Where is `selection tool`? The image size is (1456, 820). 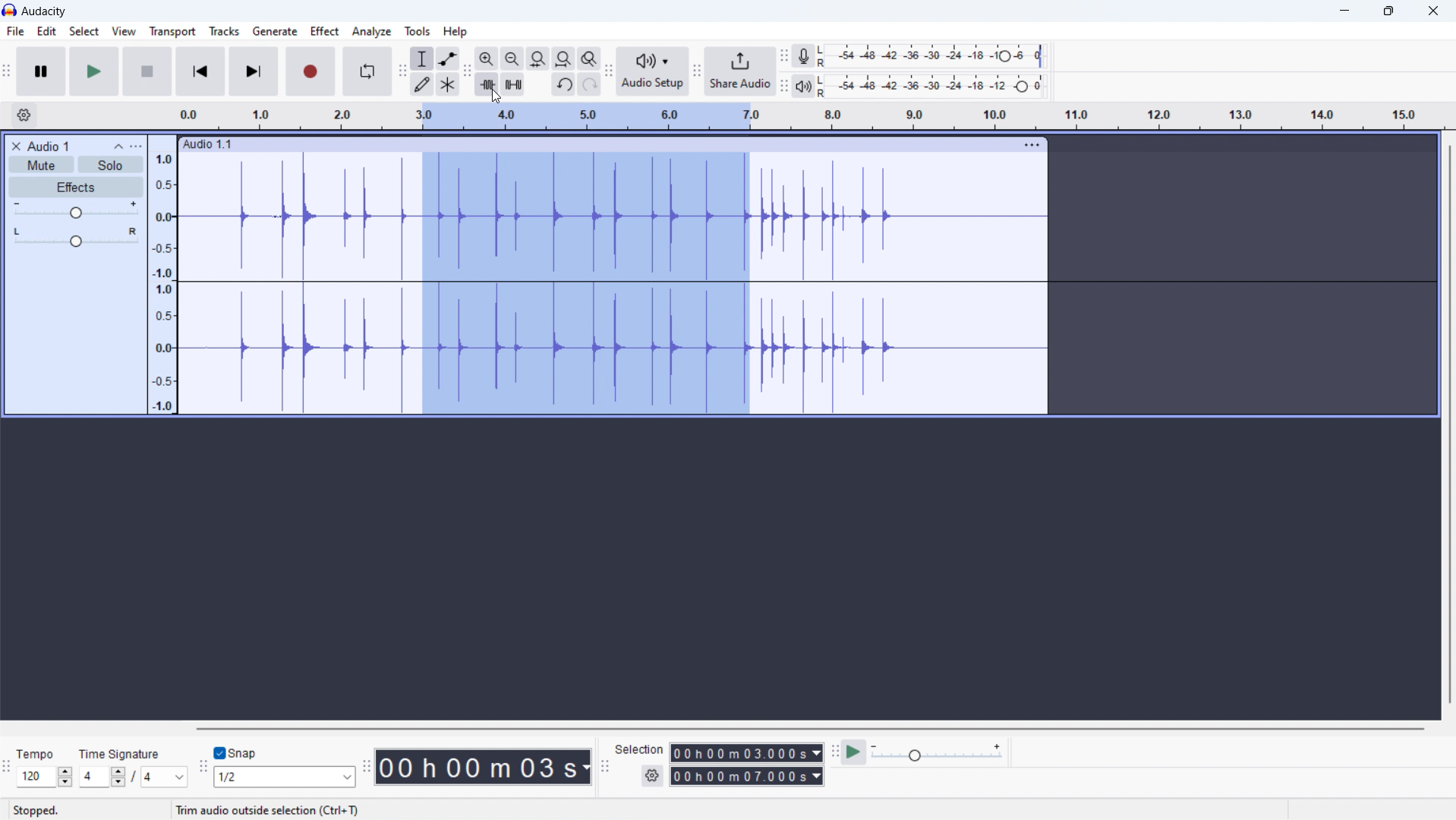
selection tool is located at coordinates (422, 58).